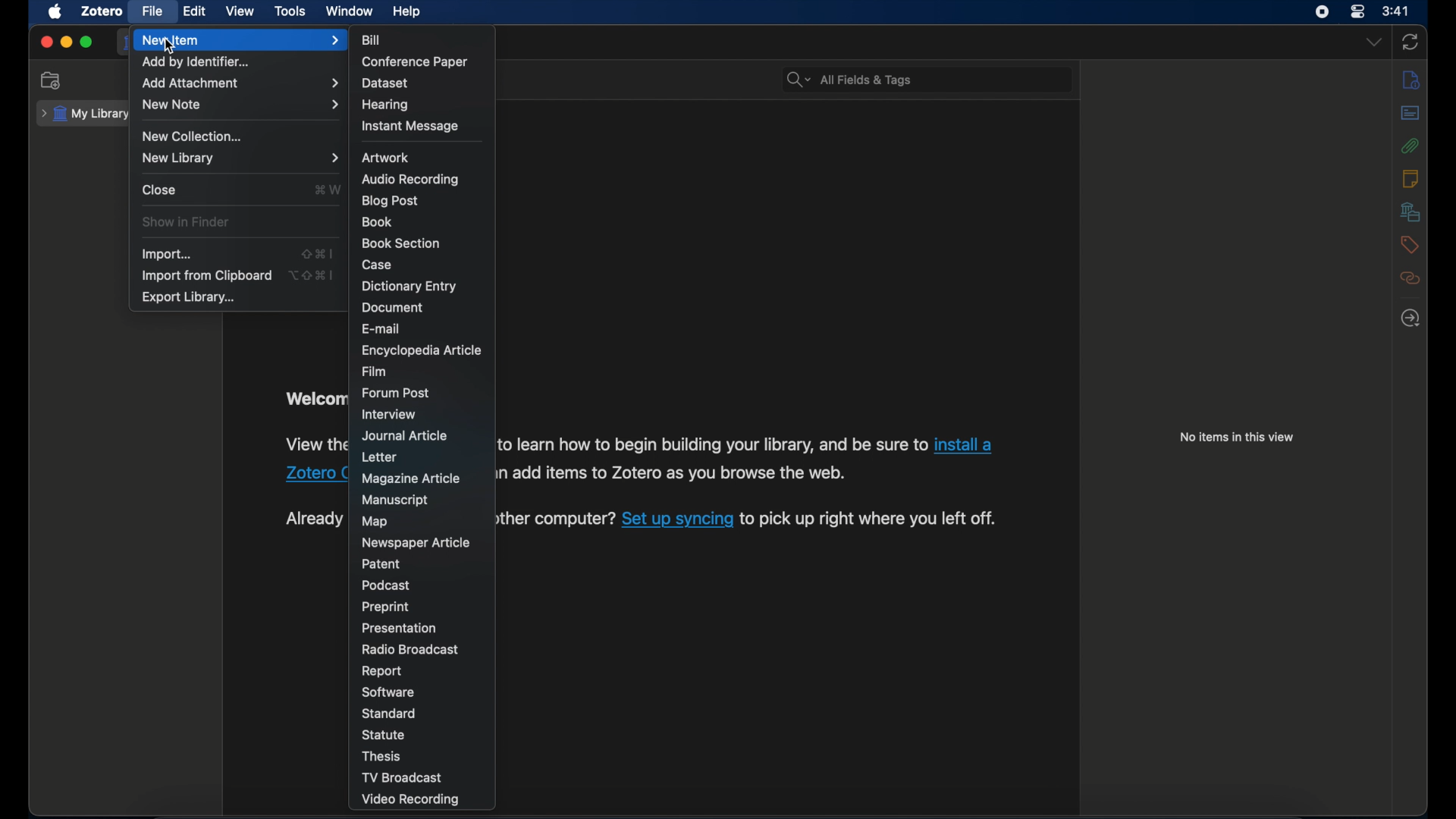 The width and height of the screenshot is (1456, 819). What do you see at coordinates (381, 563) in the screenshot?
I see `patent` at bounding box center [381, 563].